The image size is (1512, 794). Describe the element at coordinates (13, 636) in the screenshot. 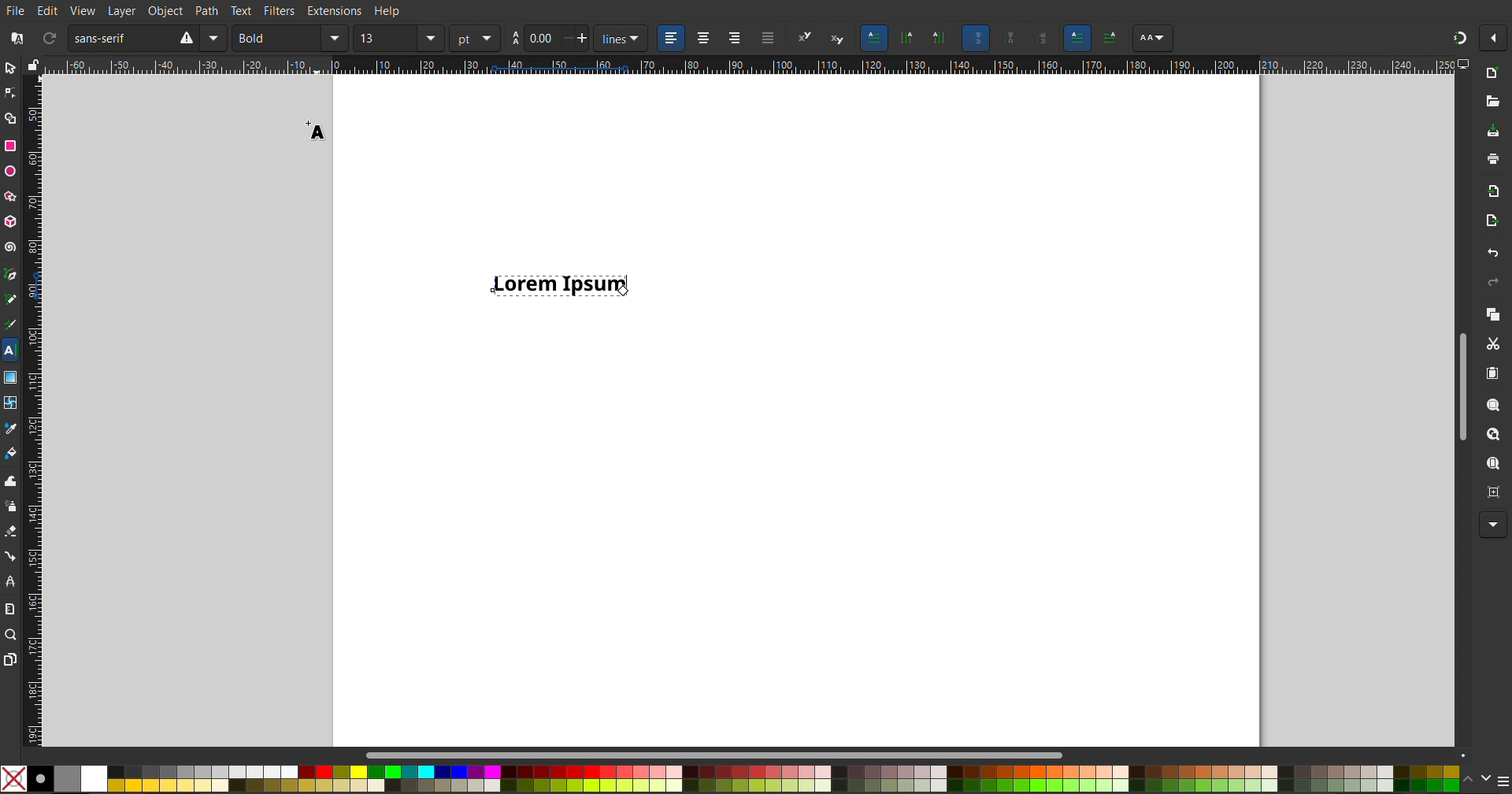

I see `Zoom Tool` at that location.